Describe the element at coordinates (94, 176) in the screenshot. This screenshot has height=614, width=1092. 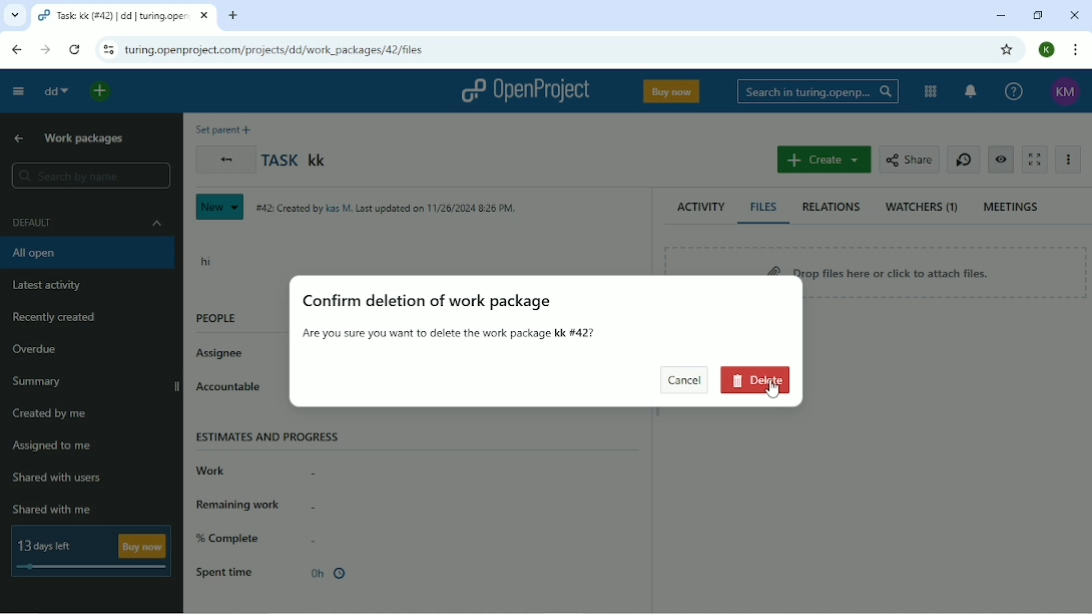
I see `Search by name` at that location.